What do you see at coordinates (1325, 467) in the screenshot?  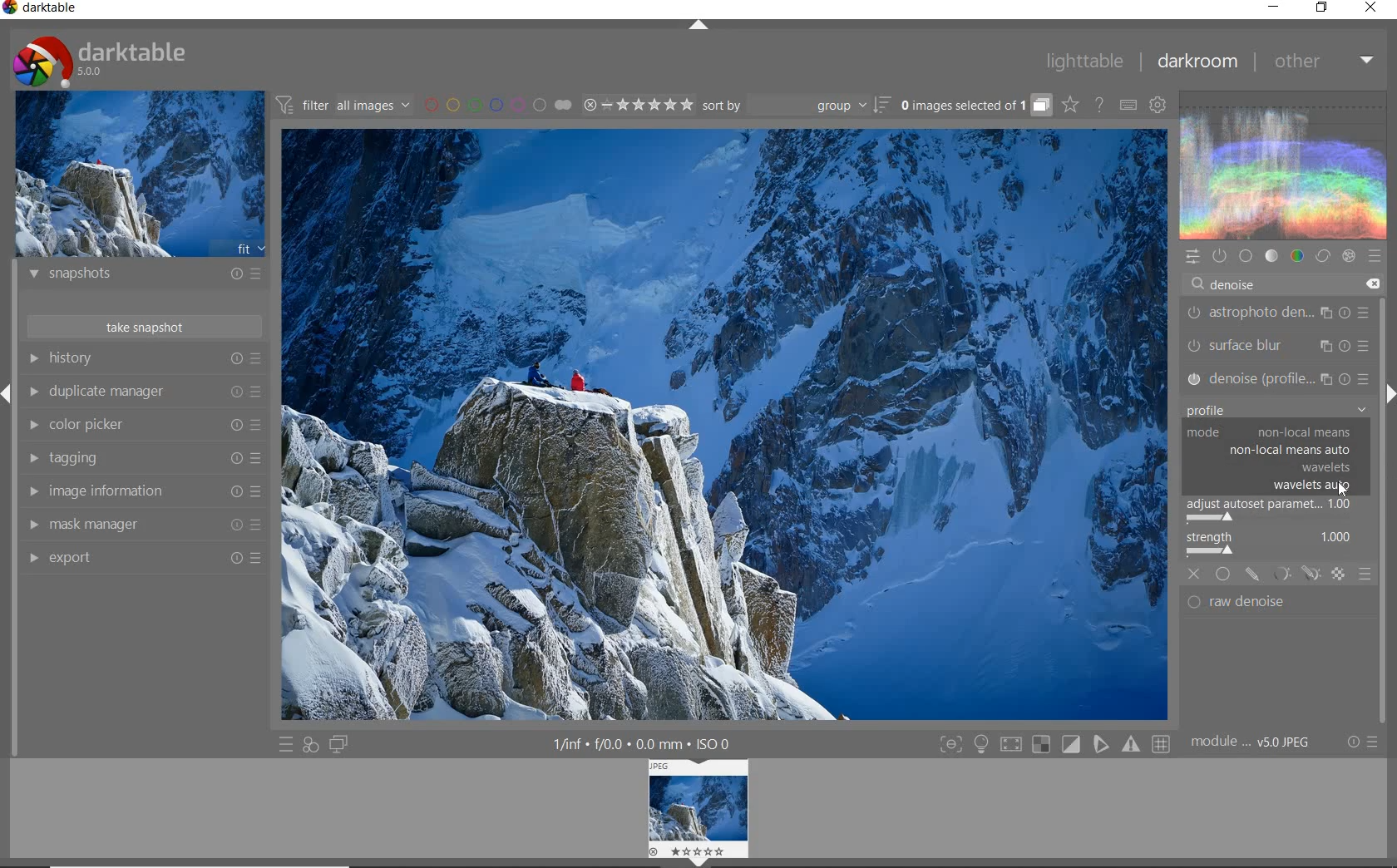 I see `WAVELETS` at bounding box center [1325, 467].